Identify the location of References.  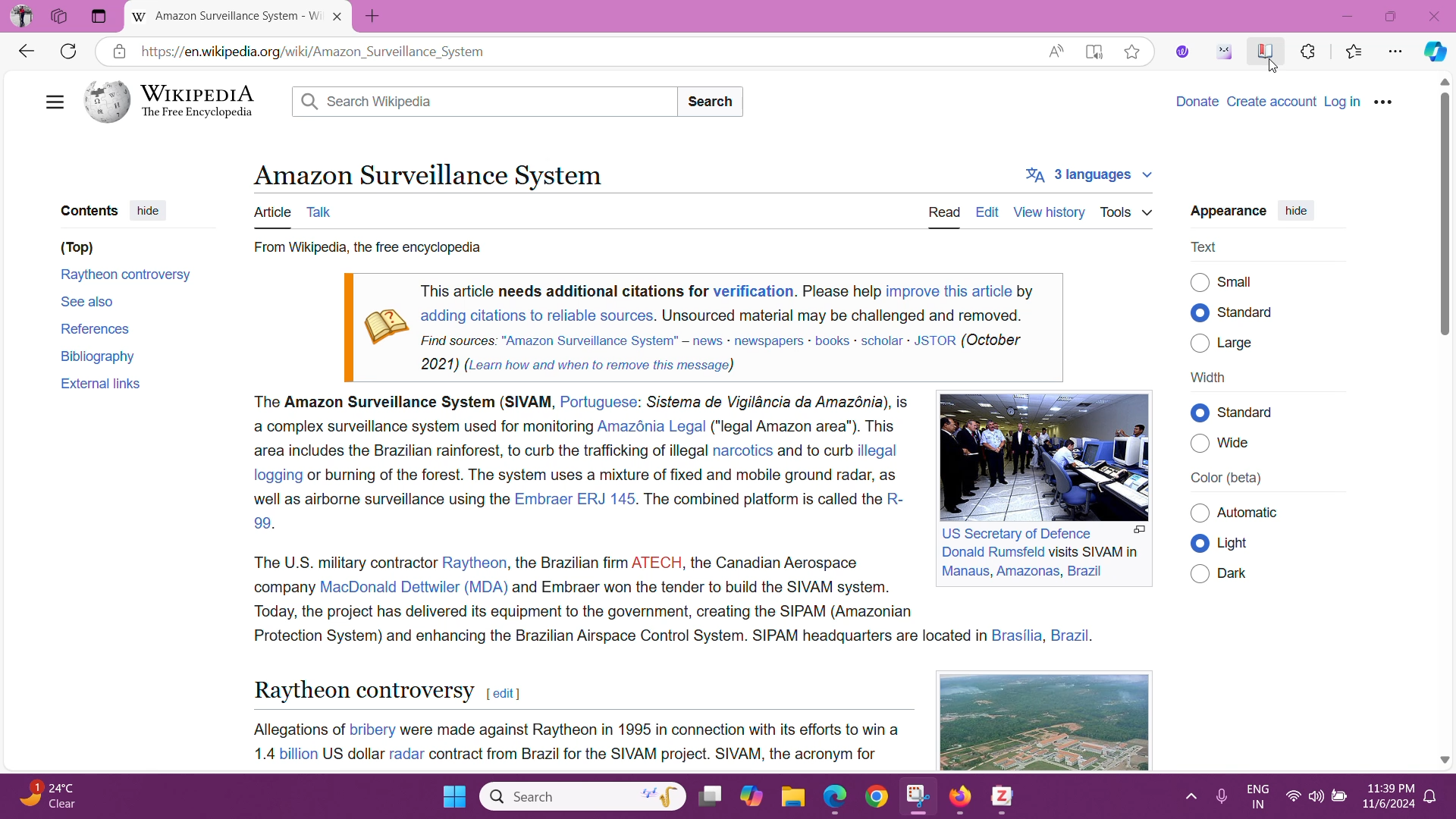
(94, 328).